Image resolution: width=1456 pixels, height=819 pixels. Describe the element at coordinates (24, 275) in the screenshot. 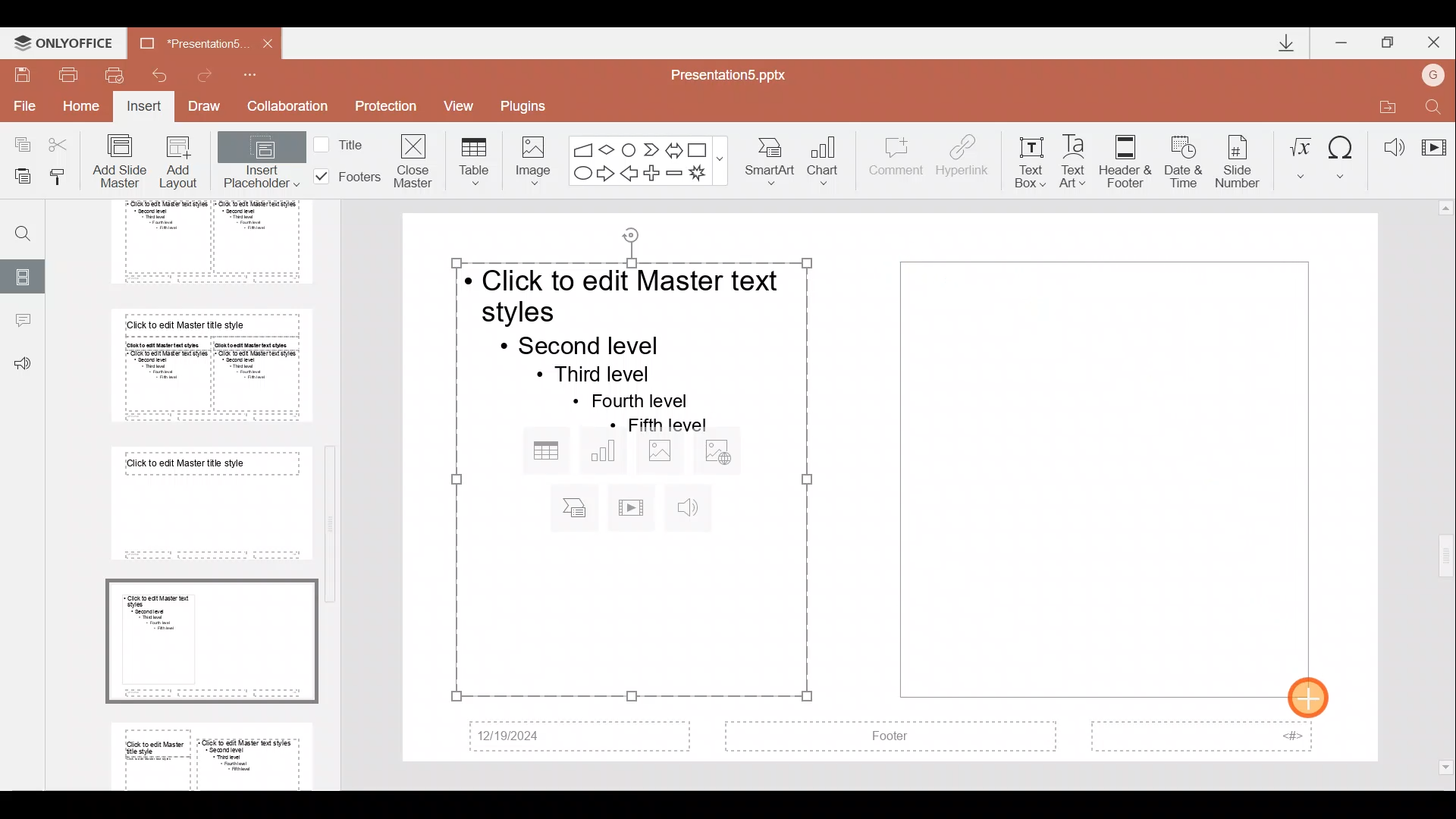

I see `Slides` at that location.